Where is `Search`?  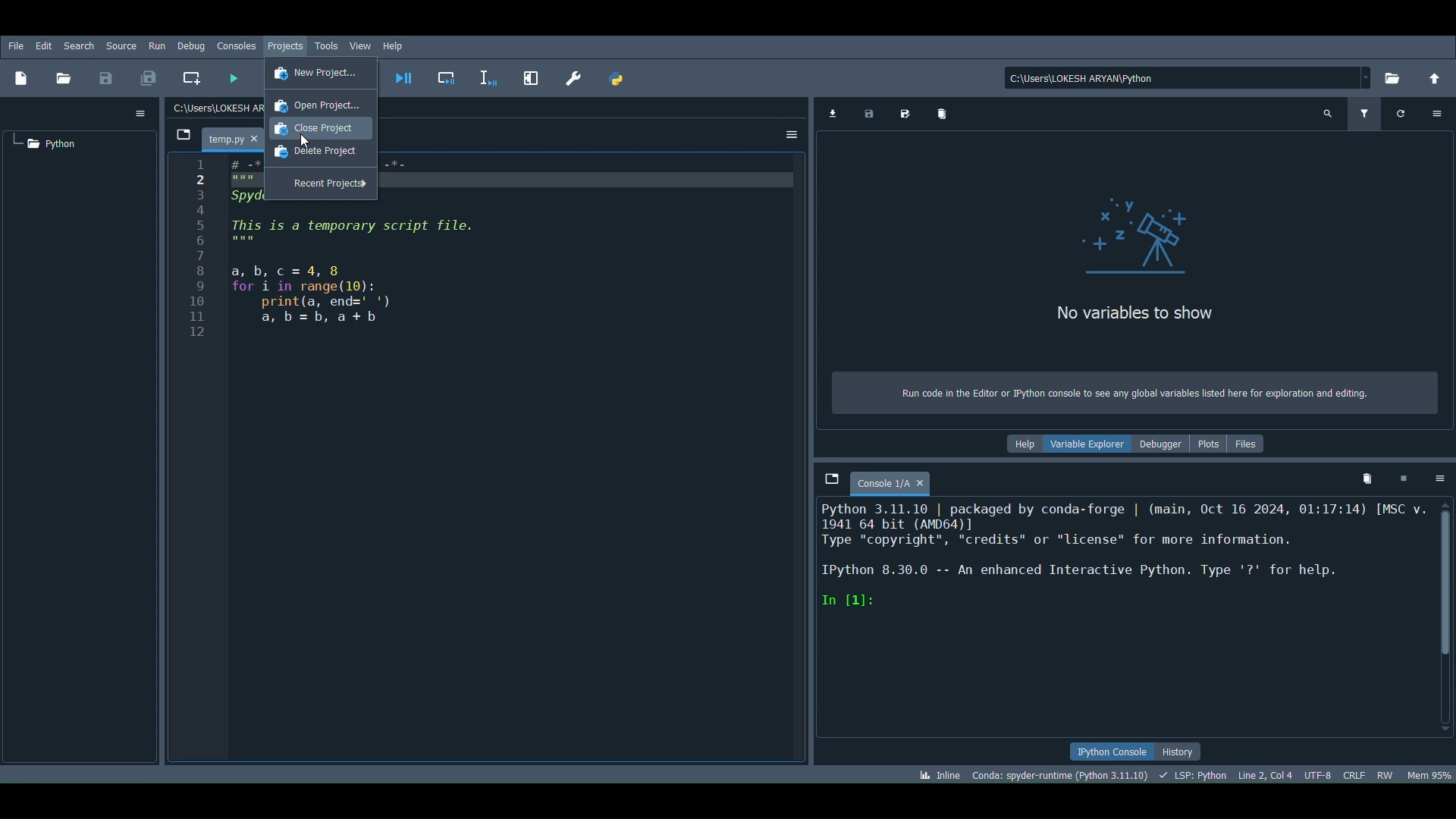
Search is located at coordinates (79, 45).